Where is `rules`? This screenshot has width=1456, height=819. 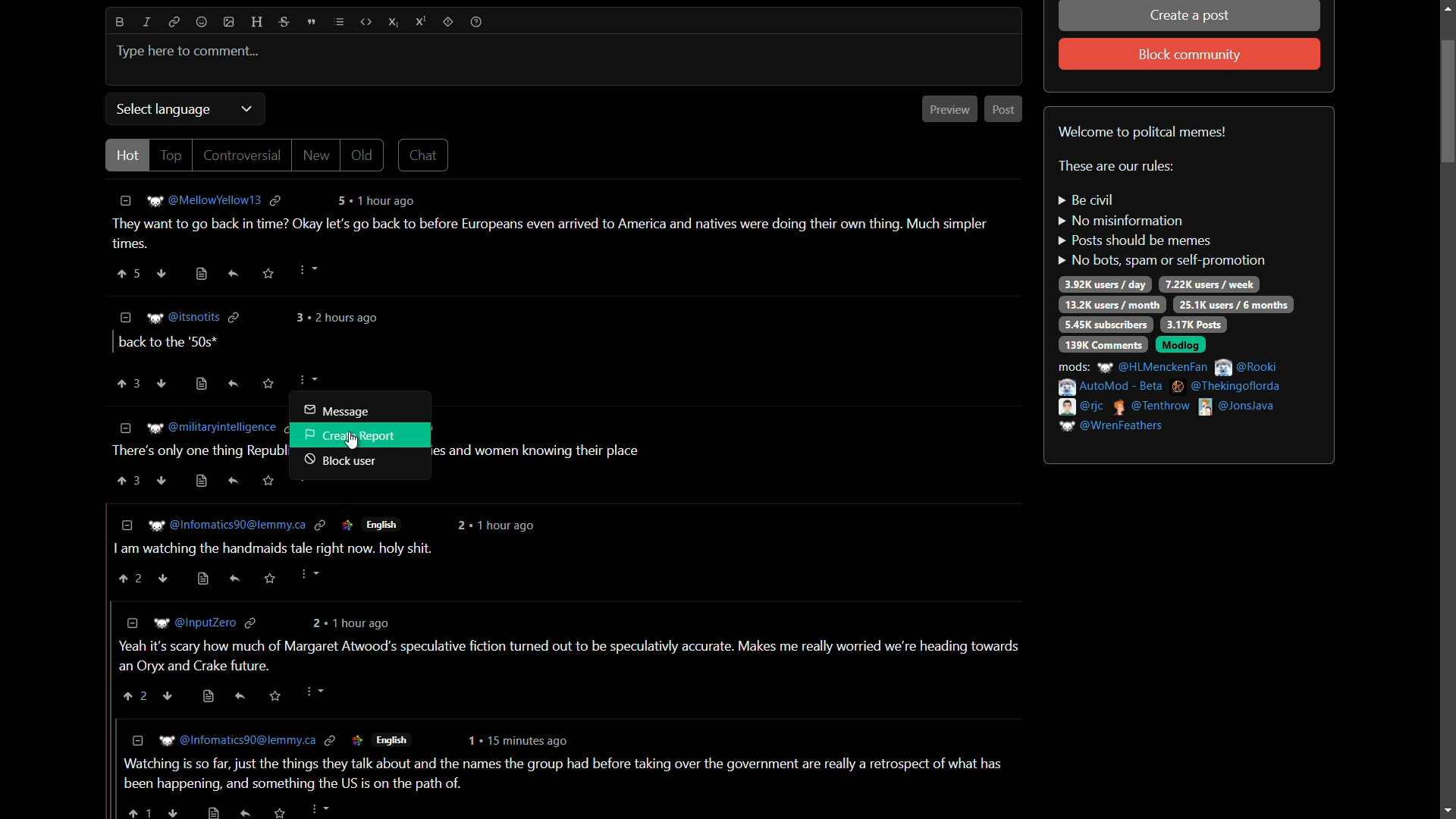 rules is located at coordinates (1161, 232).